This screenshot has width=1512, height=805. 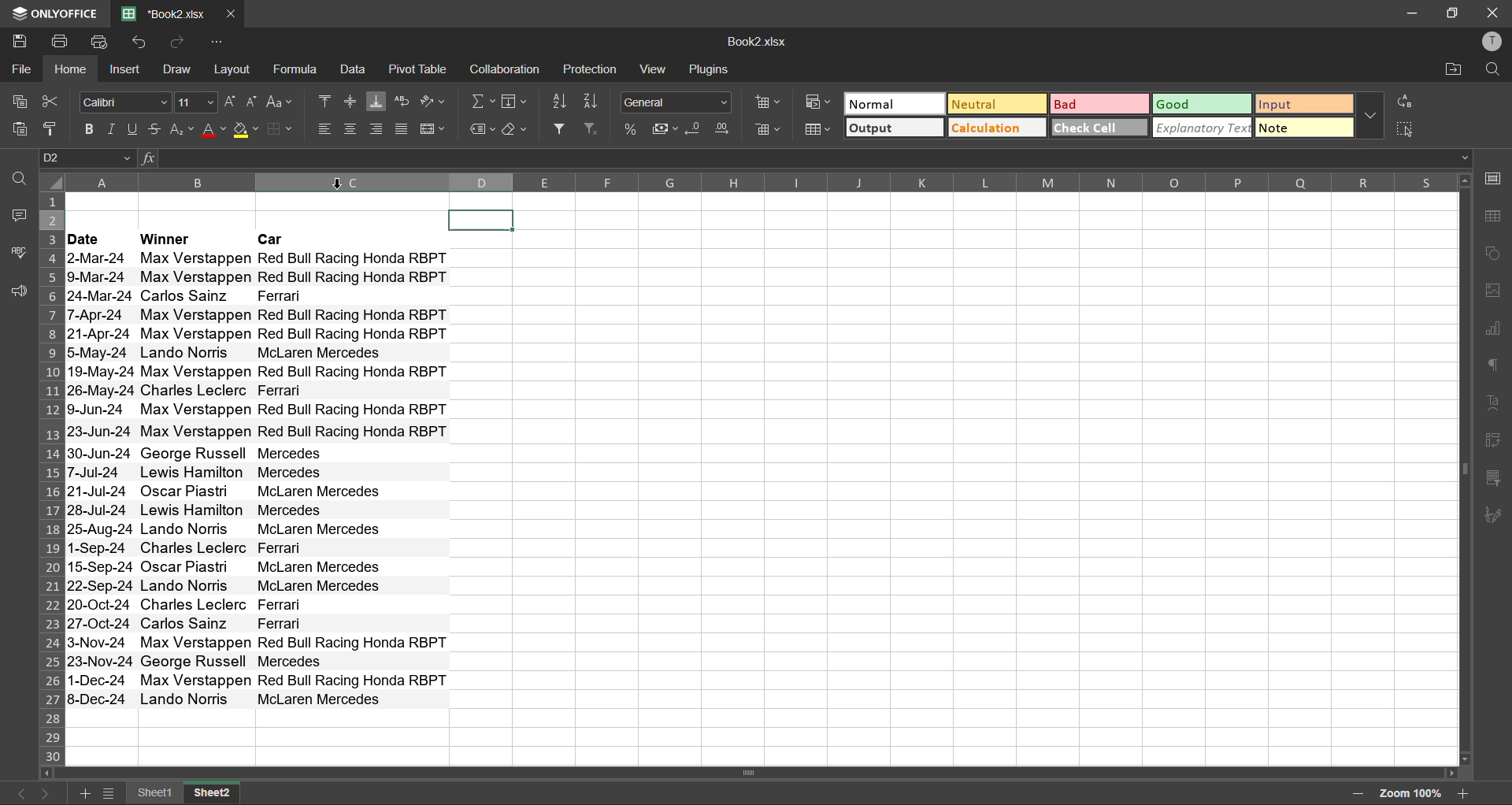 I want to click on change case, so click(x=283, y=103).